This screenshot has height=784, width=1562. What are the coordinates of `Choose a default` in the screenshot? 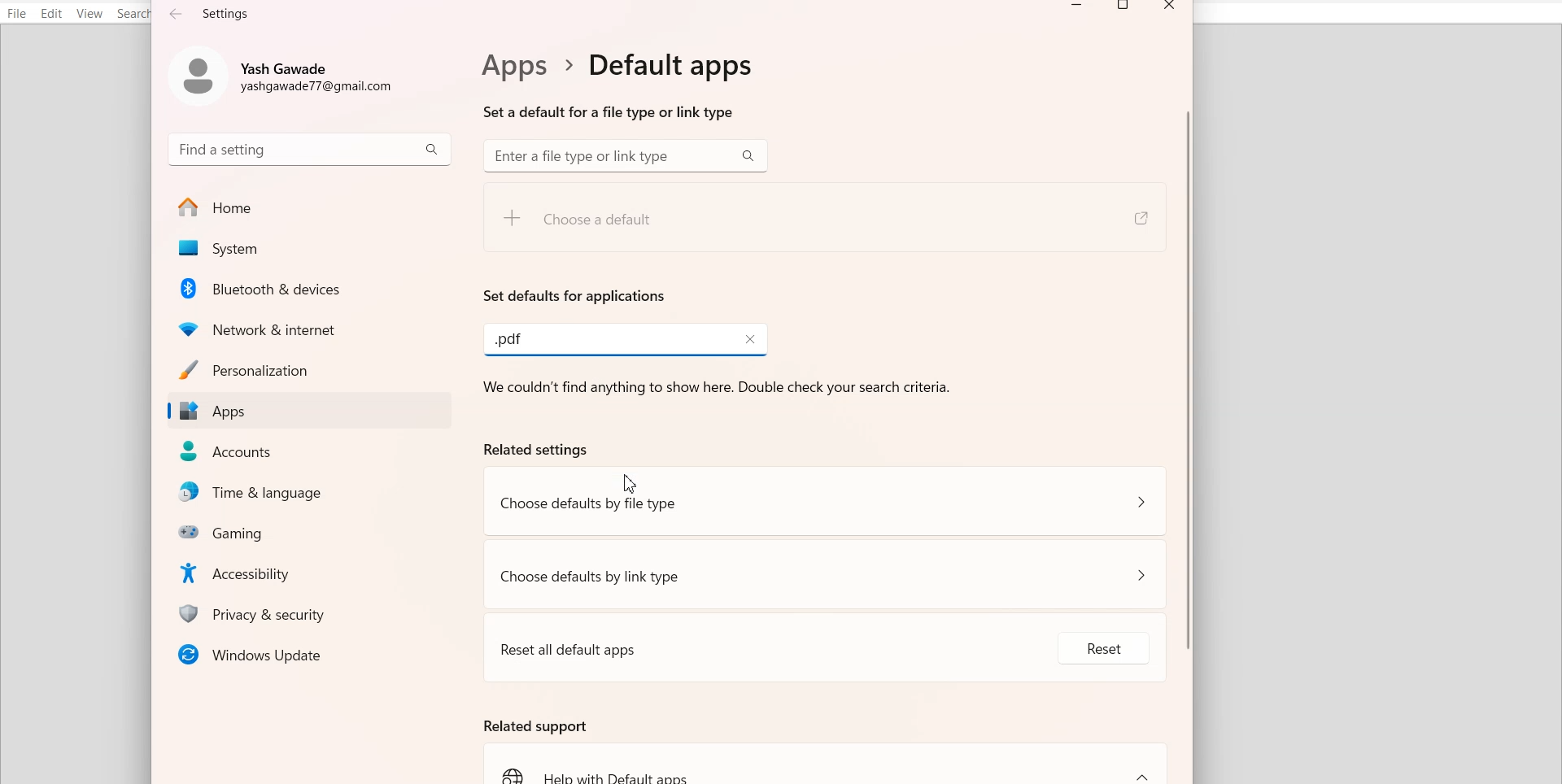 It's located at (639, 225).